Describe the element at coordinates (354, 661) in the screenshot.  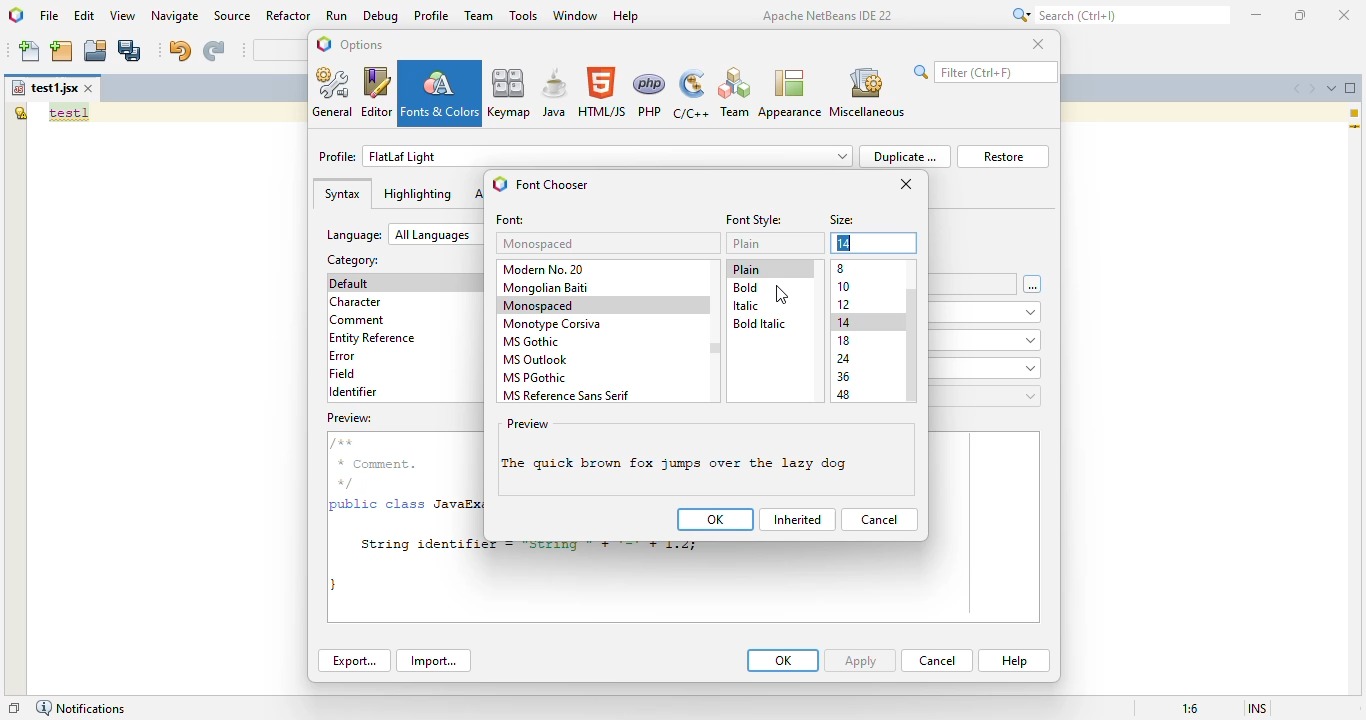
I see `export` at that location.